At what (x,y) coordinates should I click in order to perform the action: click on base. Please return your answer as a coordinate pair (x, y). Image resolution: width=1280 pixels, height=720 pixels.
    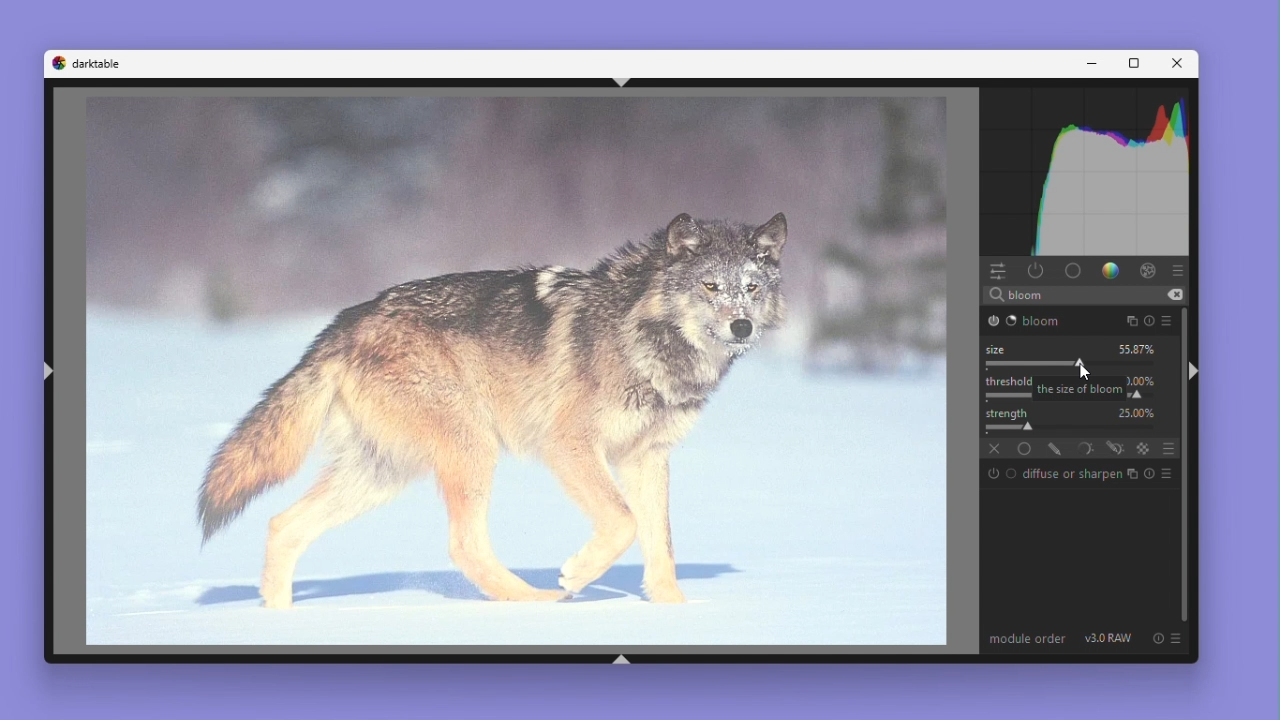
    Looking at the image, I should click on (1012, 473).